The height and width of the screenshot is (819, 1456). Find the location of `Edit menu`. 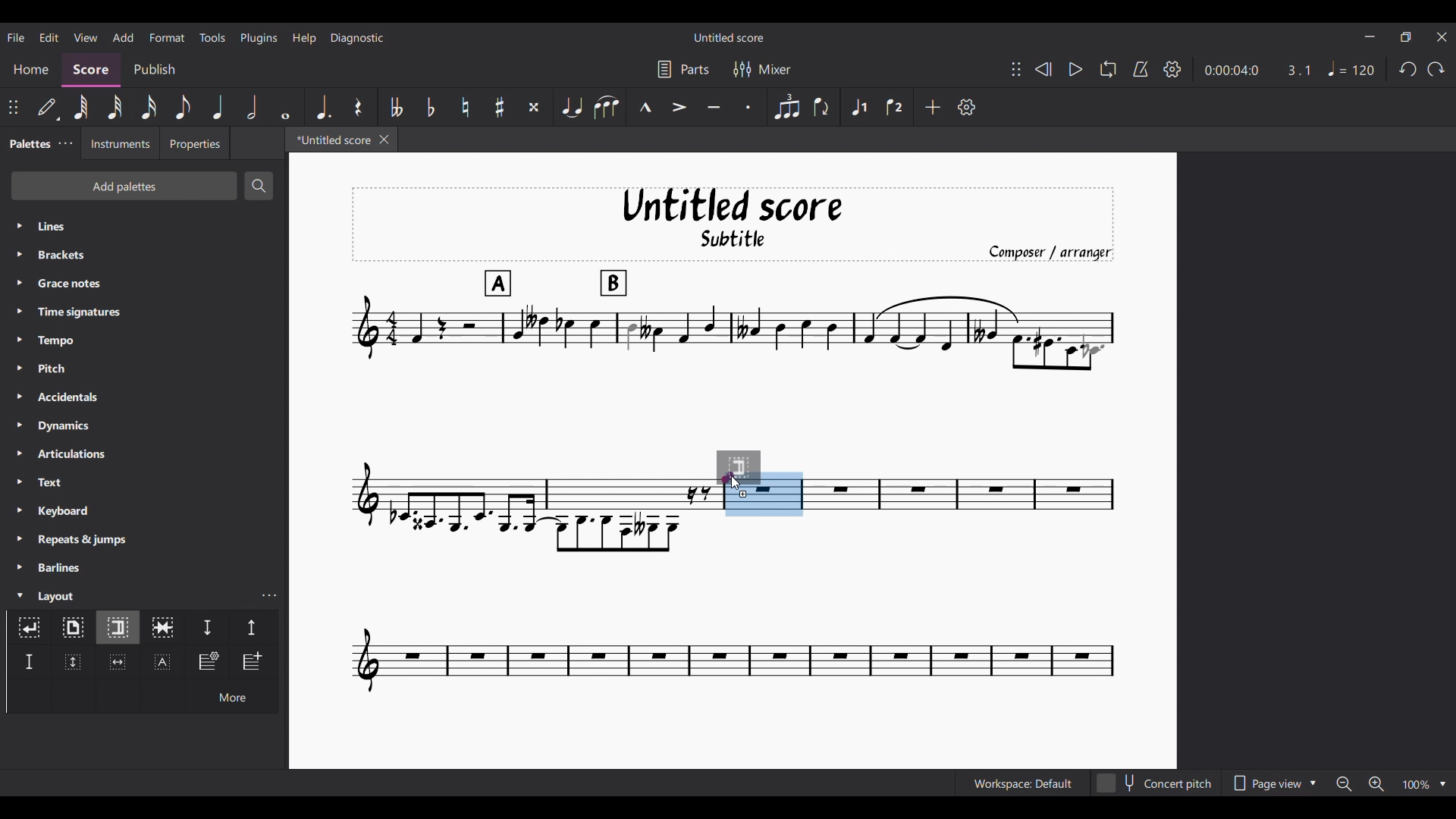

Edit menu is located at coordinates (49, 38).